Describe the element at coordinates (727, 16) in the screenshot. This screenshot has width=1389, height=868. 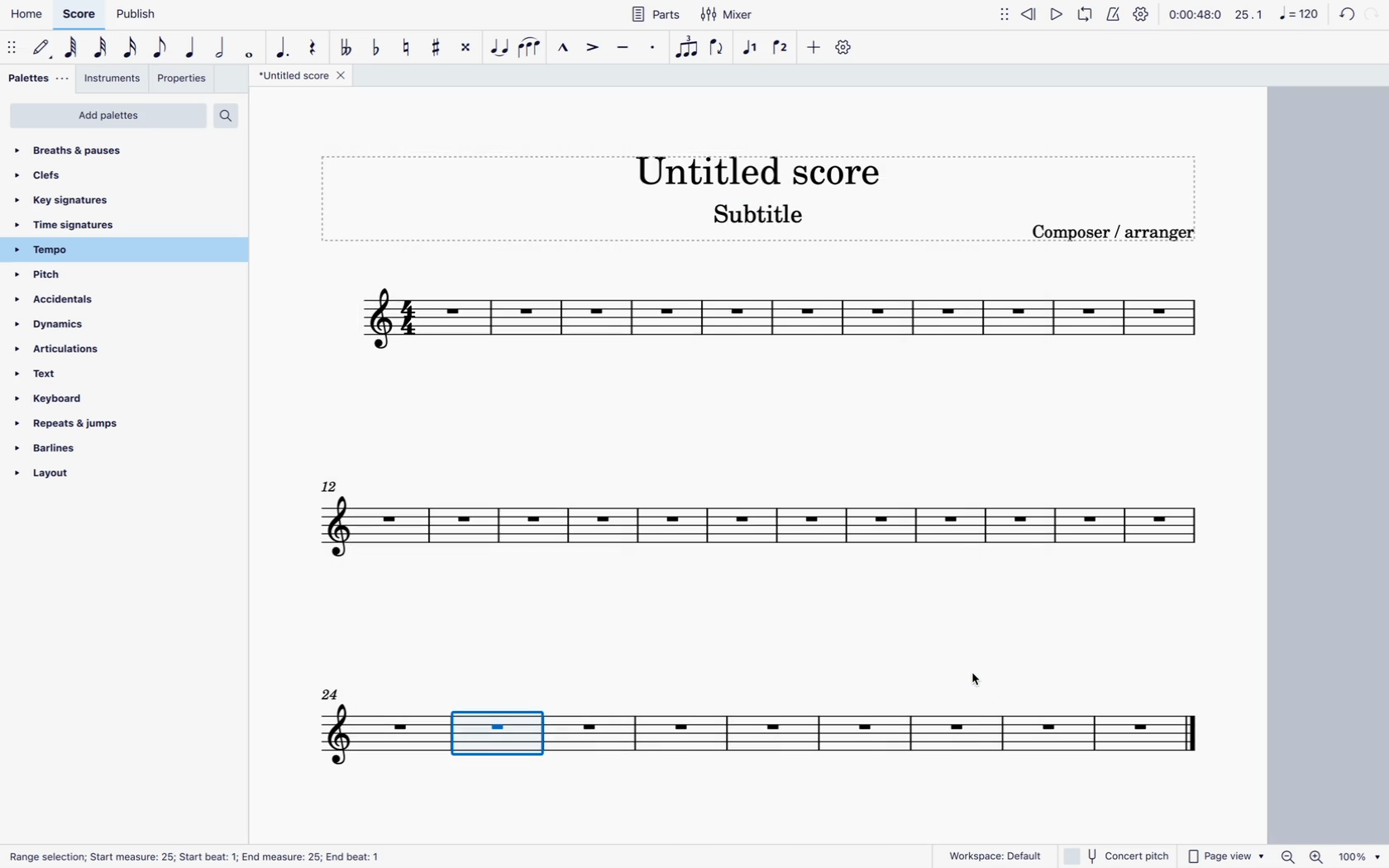
I see `mixer` at that location.